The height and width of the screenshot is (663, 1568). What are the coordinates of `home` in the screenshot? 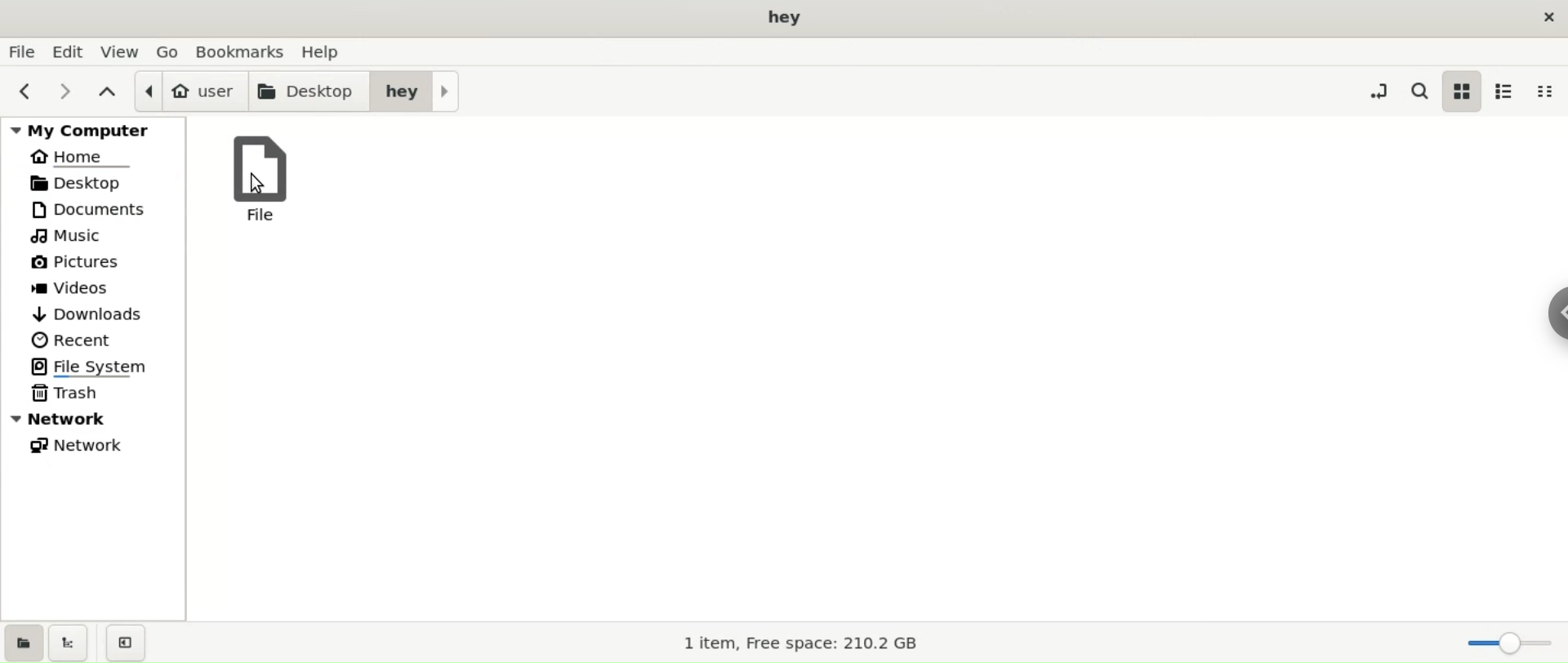 It's located at (94, 158).